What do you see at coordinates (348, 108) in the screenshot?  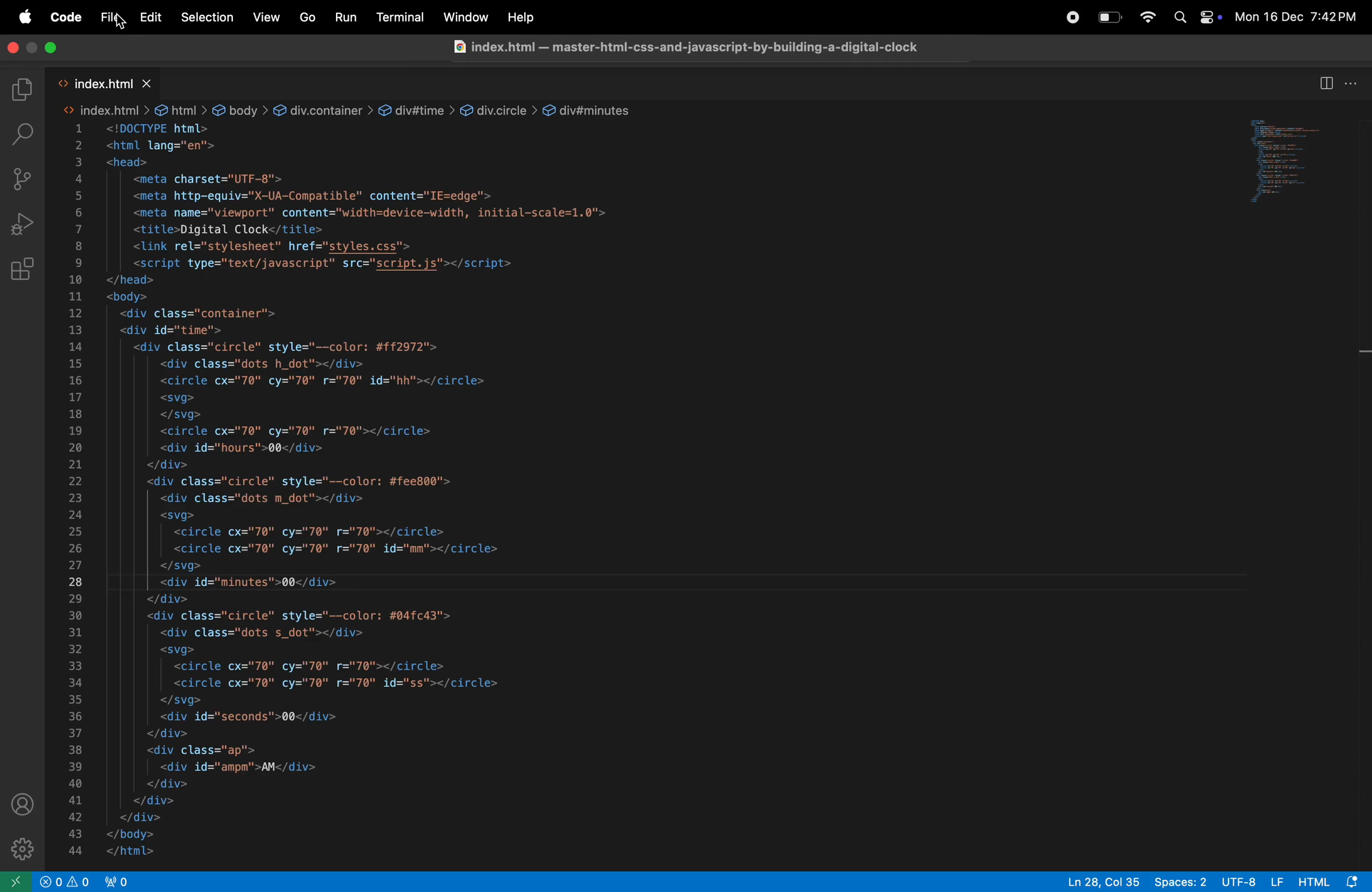 I see `index.html > @ html > @ body > & div.container > @ div#time > @ div.circle > @ div#minutes` at bounding box center [348, 108].